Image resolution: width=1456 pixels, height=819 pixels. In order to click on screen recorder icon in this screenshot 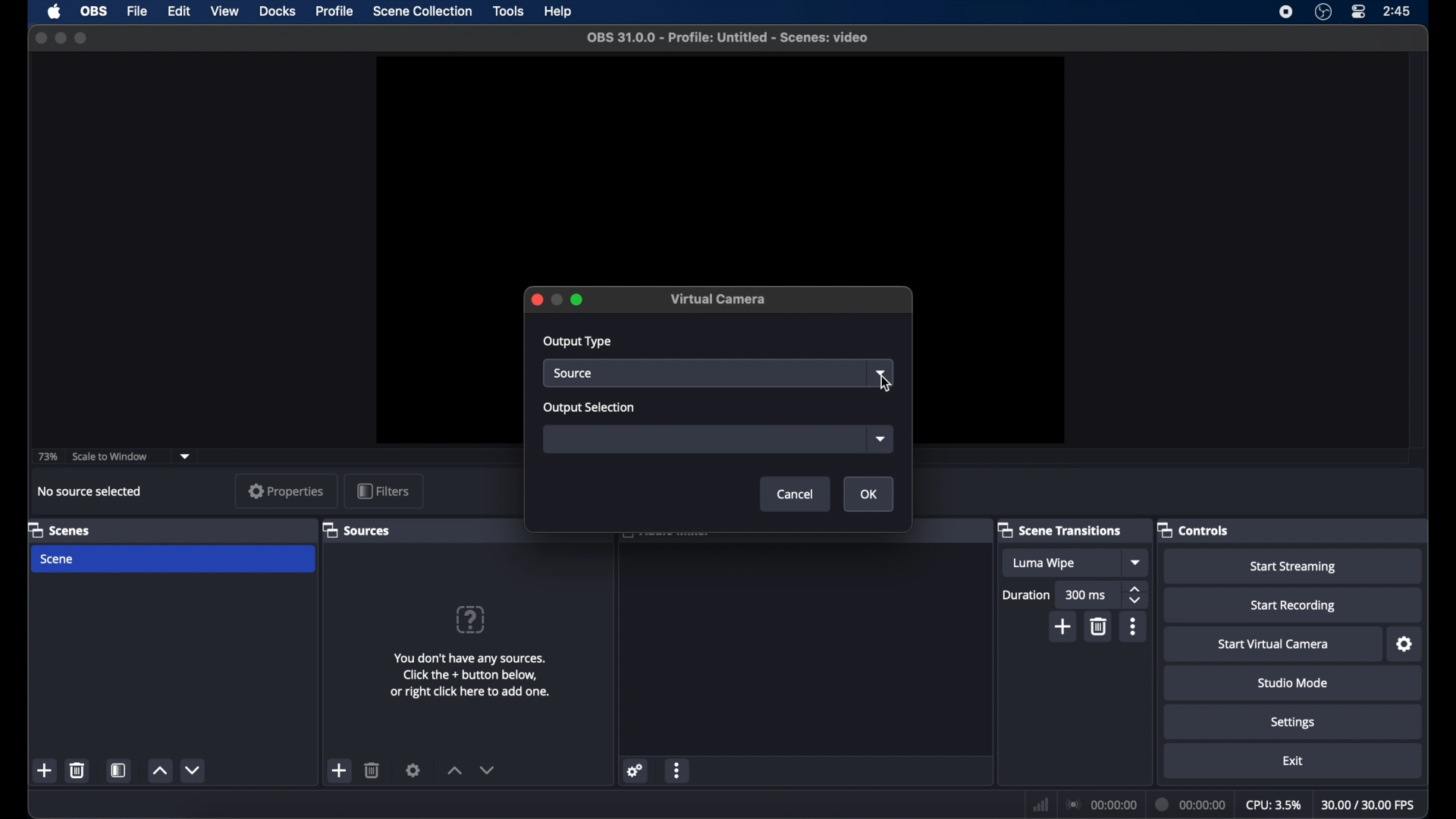, I will do `click(1287, 12)`.